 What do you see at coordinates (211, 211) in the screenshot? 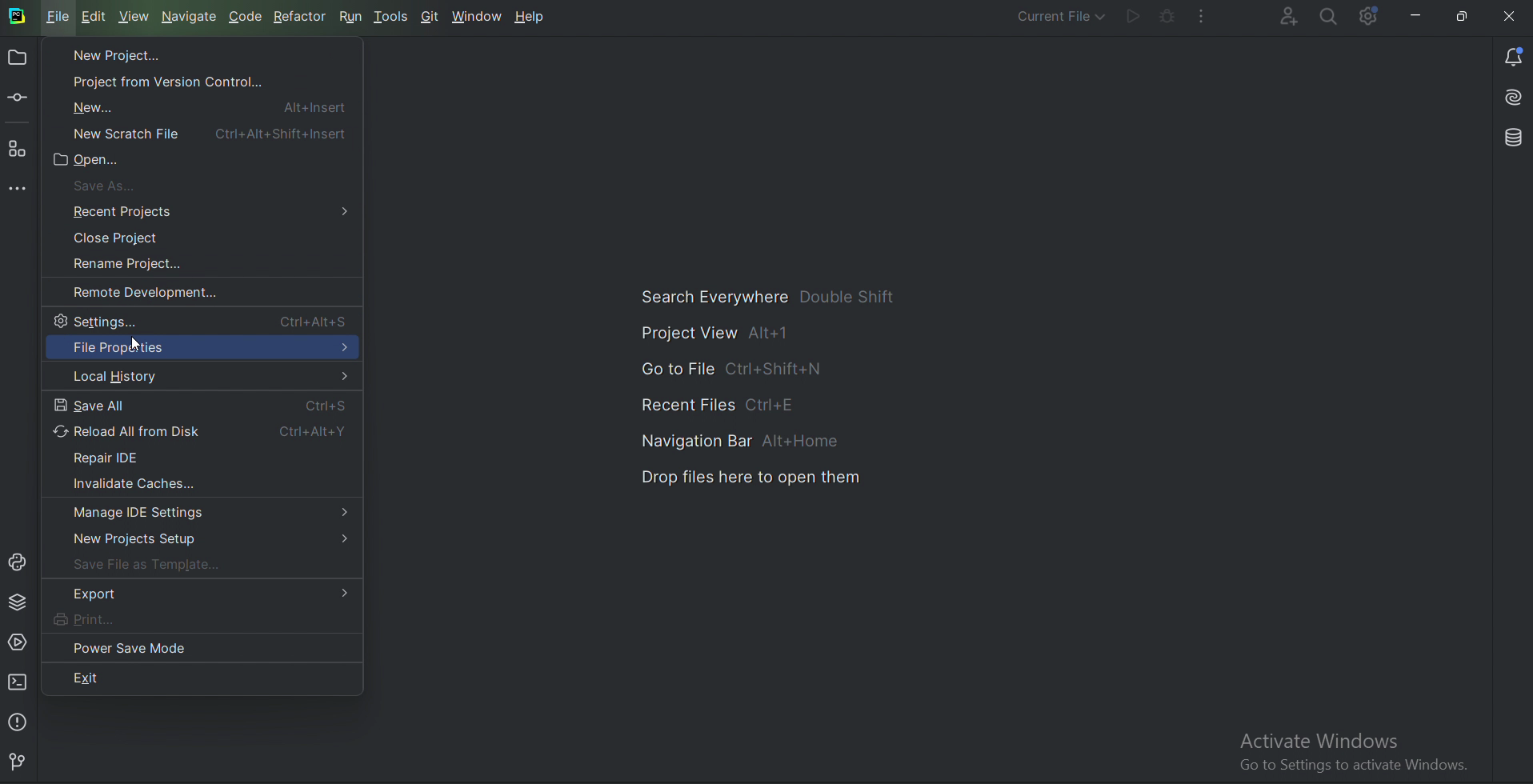
I see `Recent projects` at bounding box center [211, 211].